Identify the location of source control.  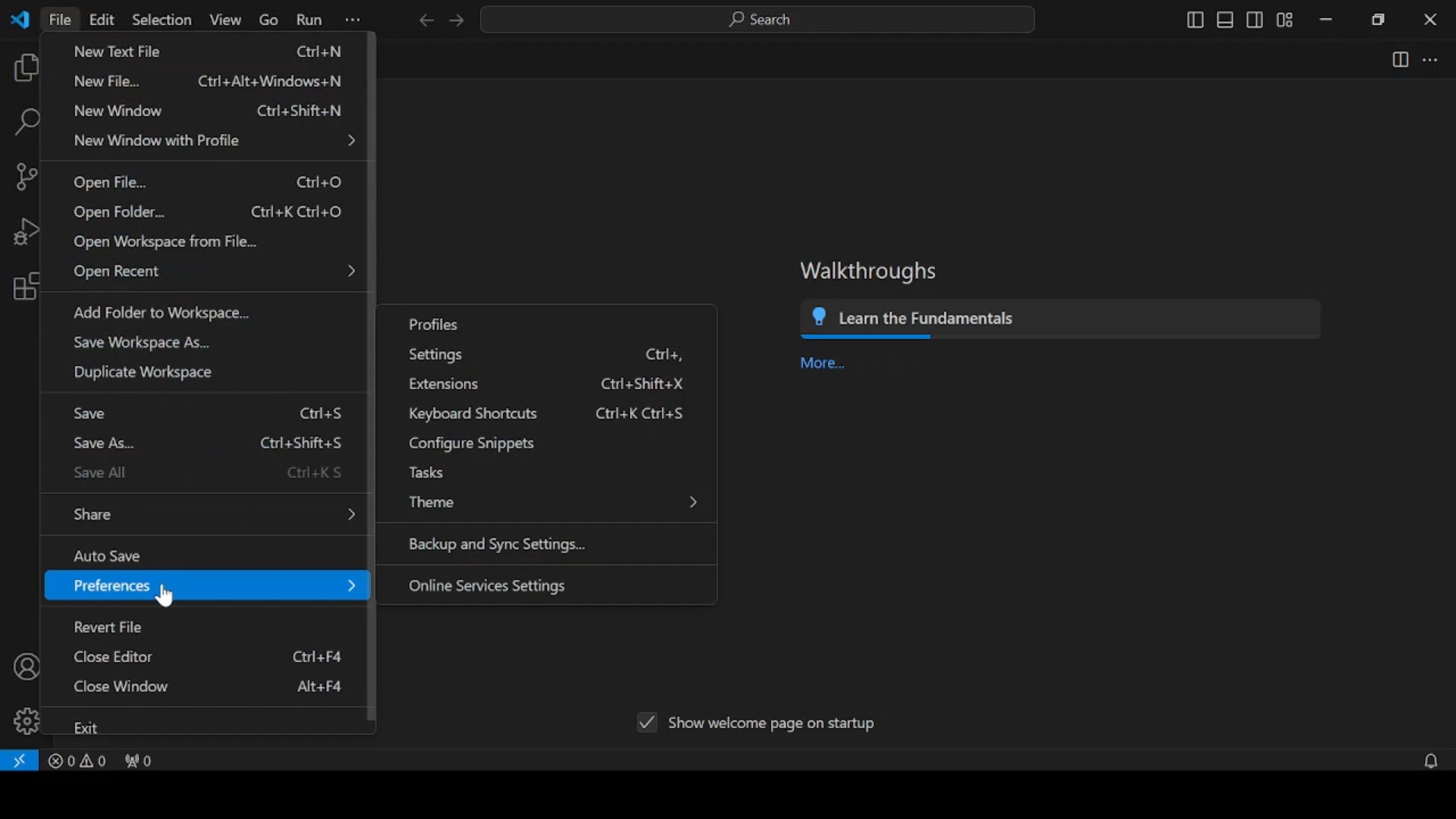
(27, 177).